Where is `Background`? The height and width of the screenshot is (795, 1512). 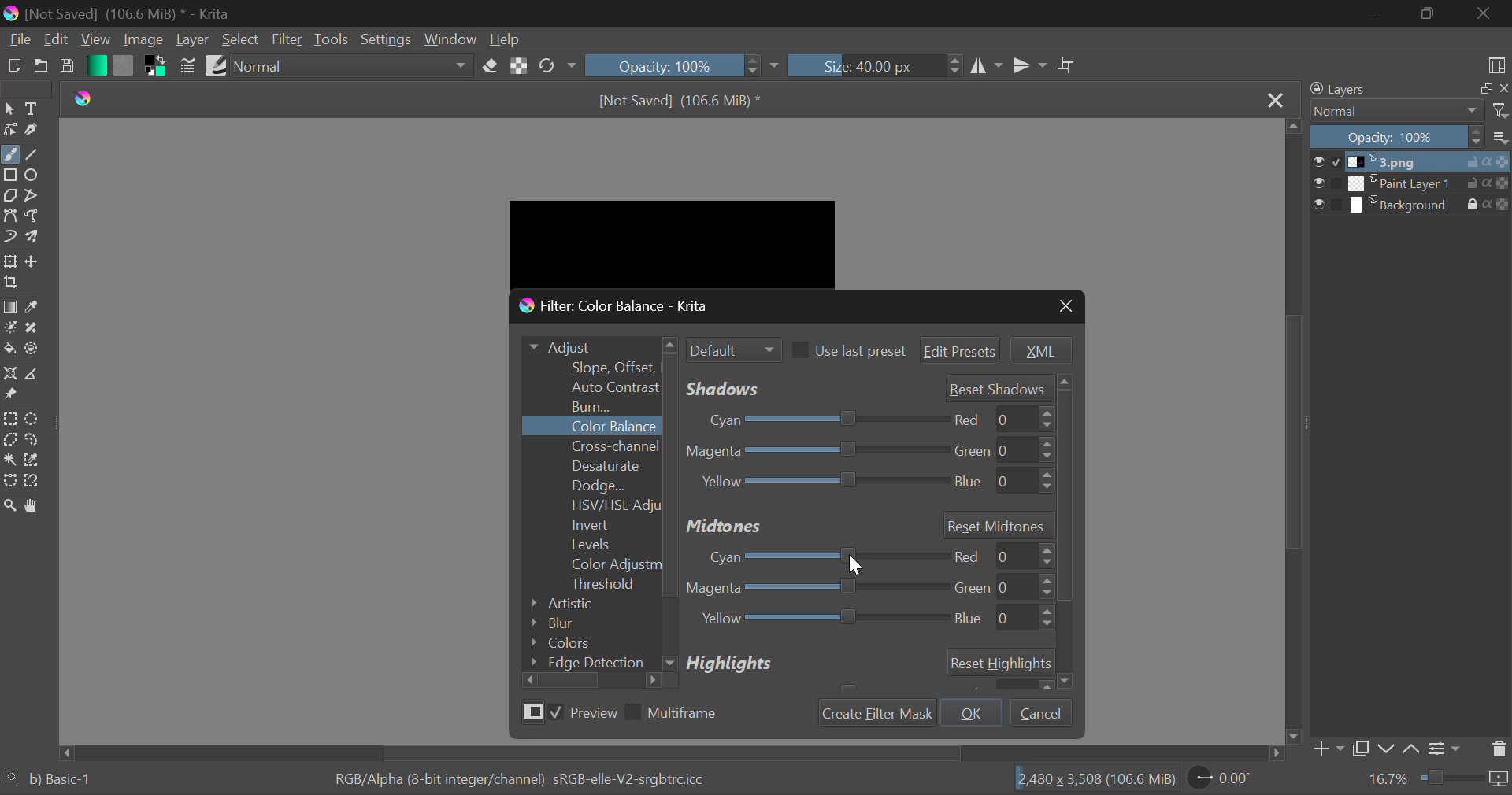
Background is located at coordinates (1411, 207).